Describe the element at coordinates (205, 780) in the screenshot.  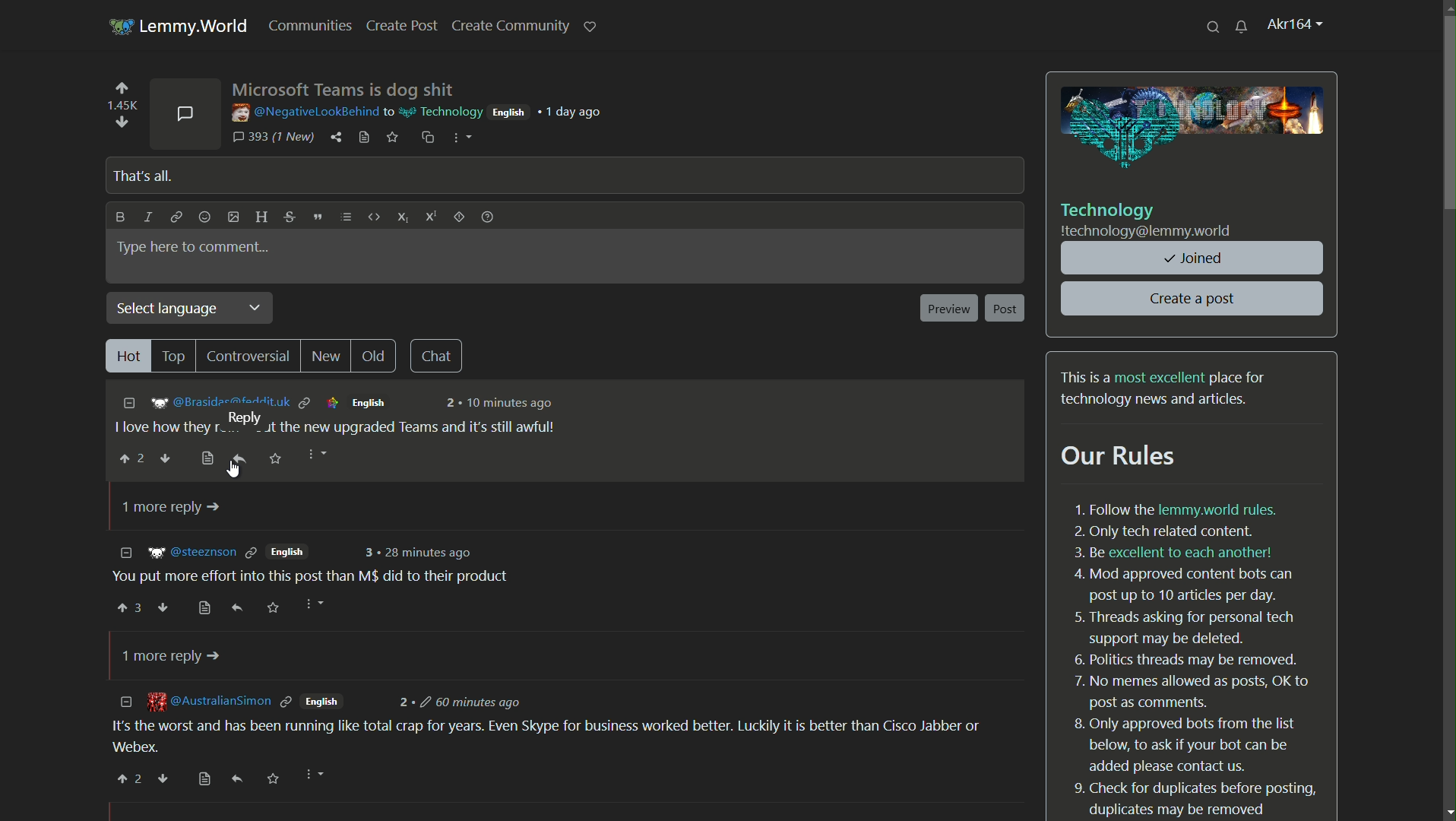
I see `view source` at that location.